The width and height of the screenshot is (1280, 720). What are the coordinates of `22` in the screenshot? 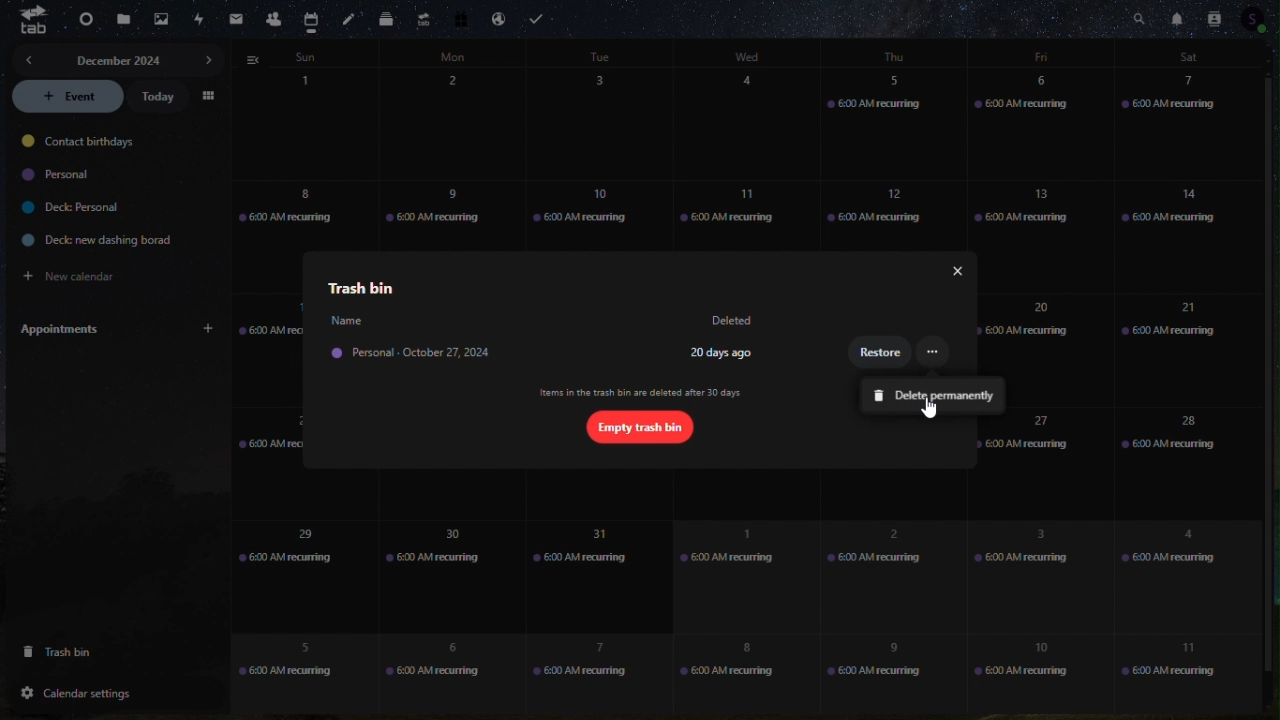 It's located at (290, 463).